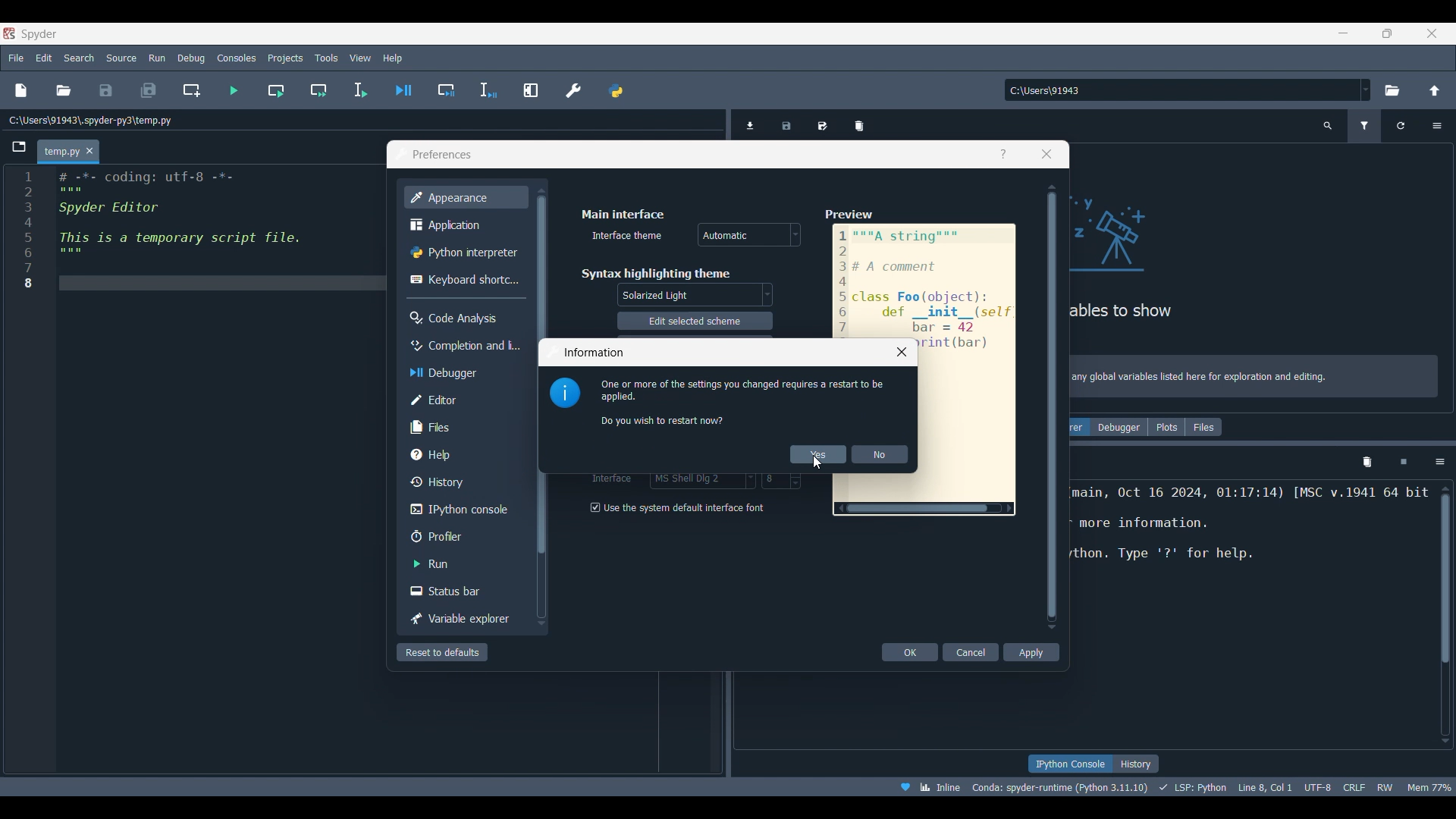  What do you see at coordinates (1445, 614) in the screenshot?
I see `Vertical slide bar` at bounding box center [1445, 614].